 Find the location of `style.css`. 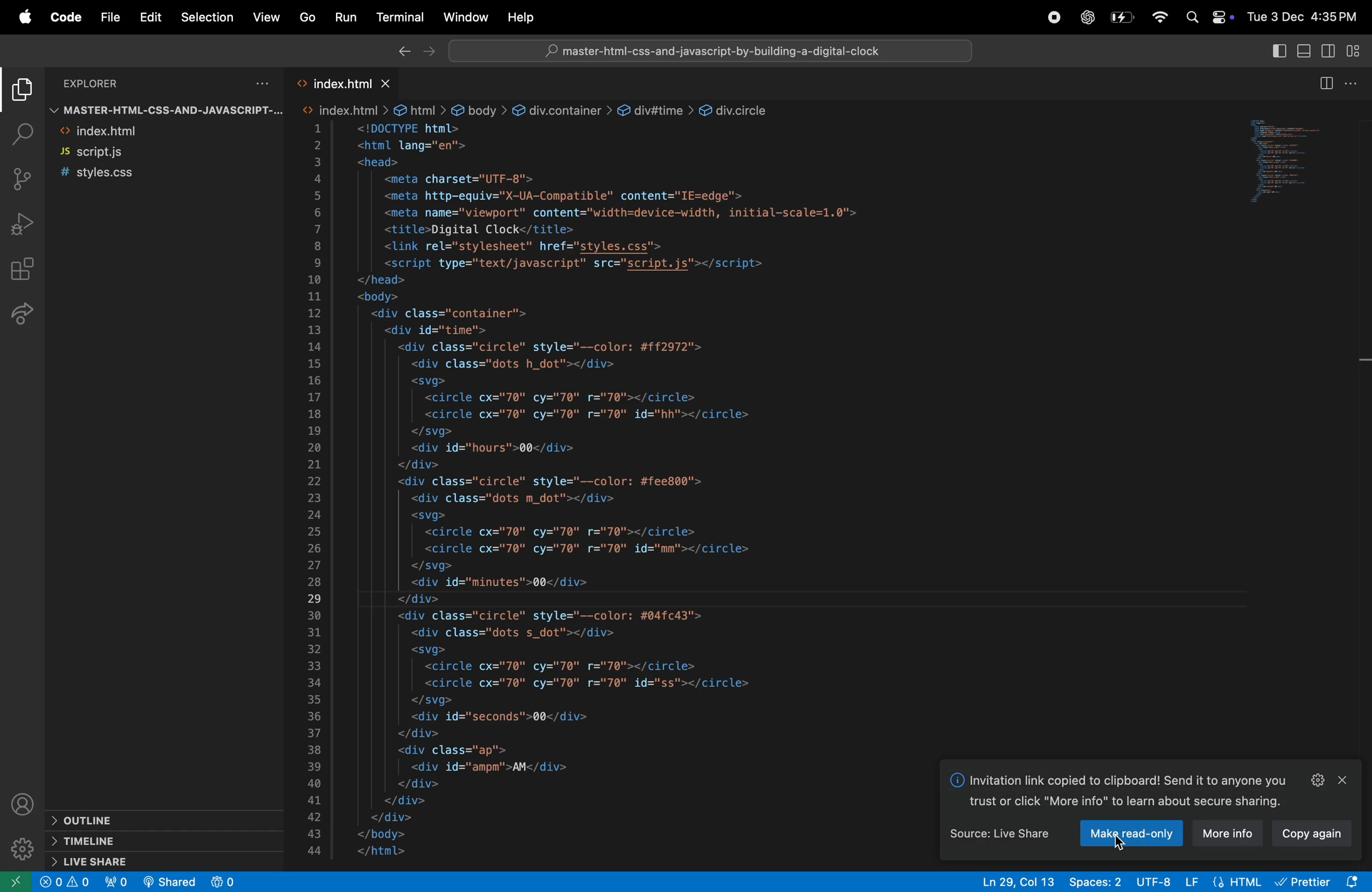

style.css is located at coordinates (156, 175).